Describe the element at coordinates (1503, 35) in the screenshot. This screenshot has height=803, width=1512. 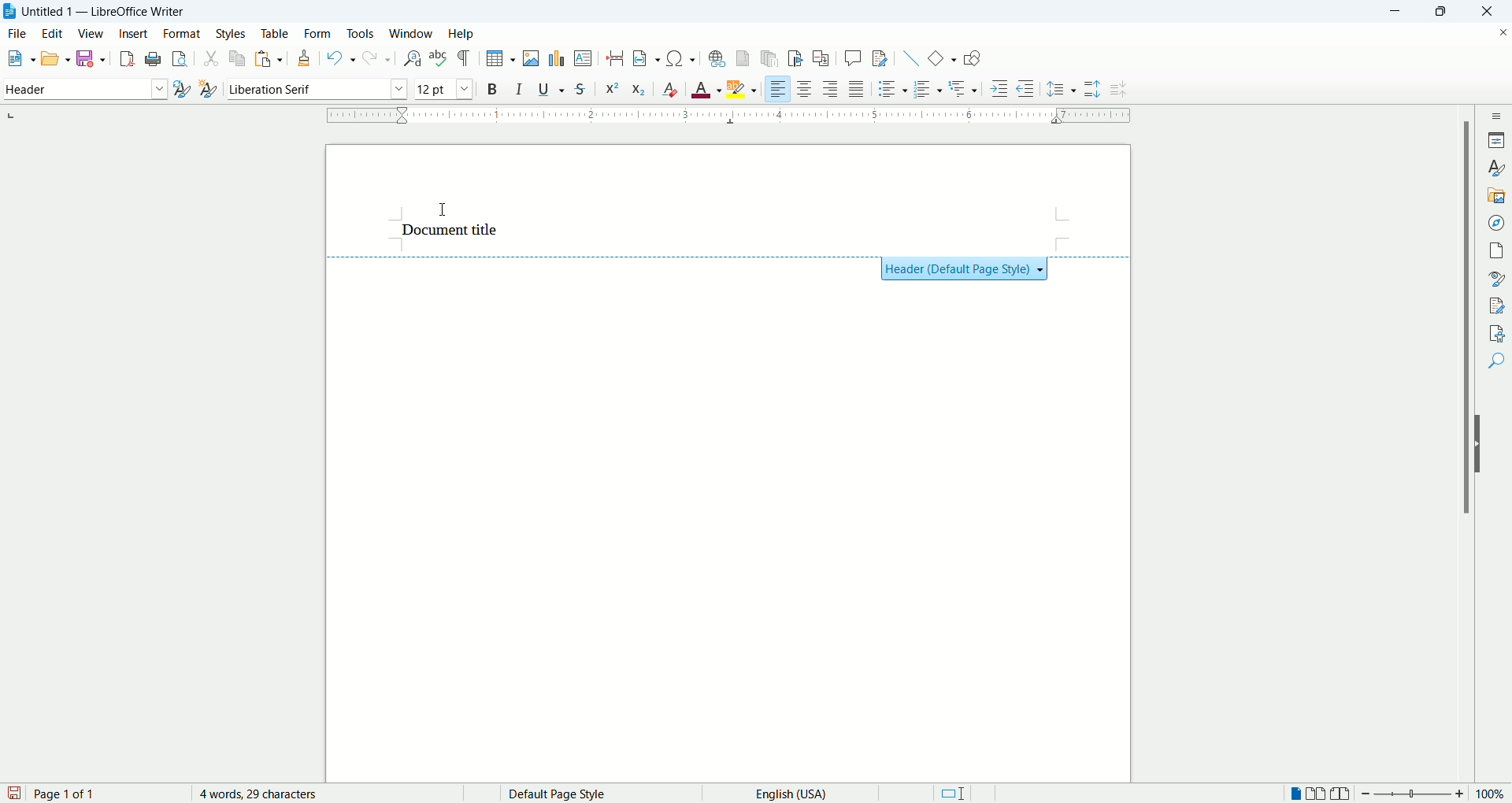
I see `close document` at that location.